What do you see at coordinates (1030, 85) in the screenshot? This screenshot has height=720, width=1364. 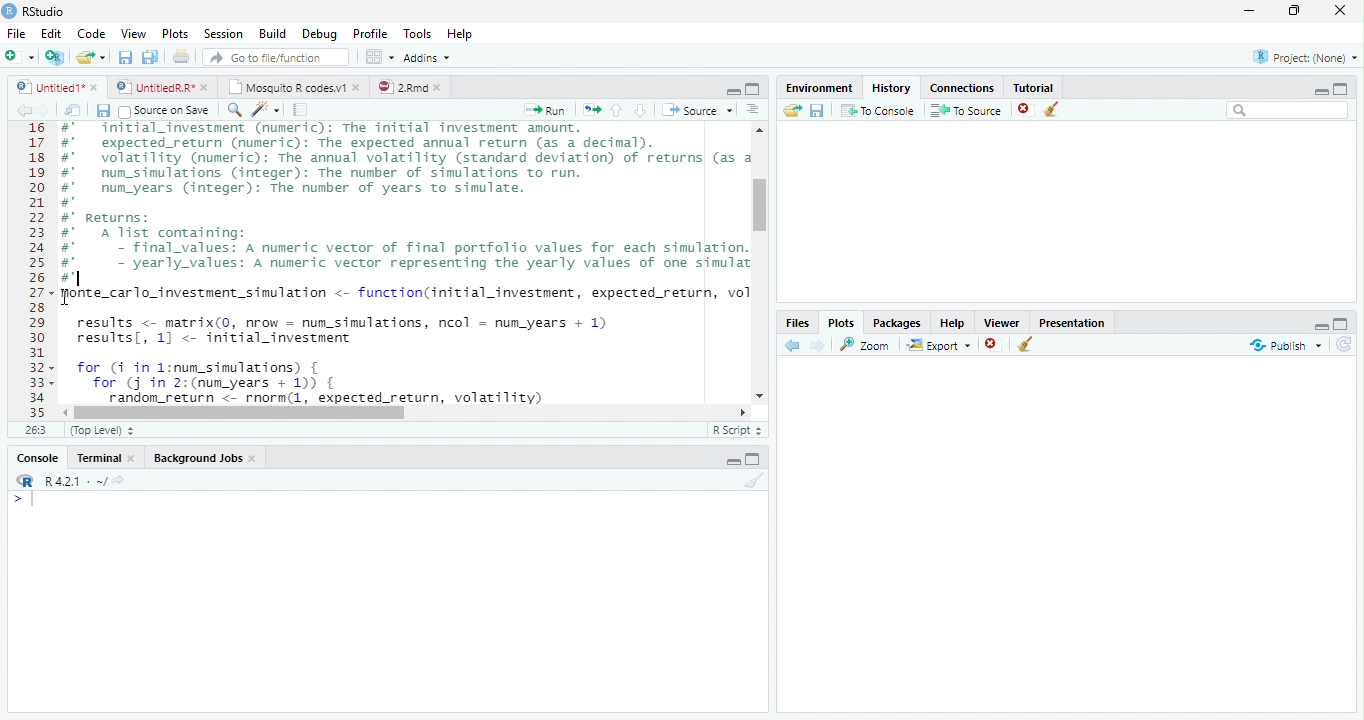 I see `Tutorial` at bounding box center [1030, 85].